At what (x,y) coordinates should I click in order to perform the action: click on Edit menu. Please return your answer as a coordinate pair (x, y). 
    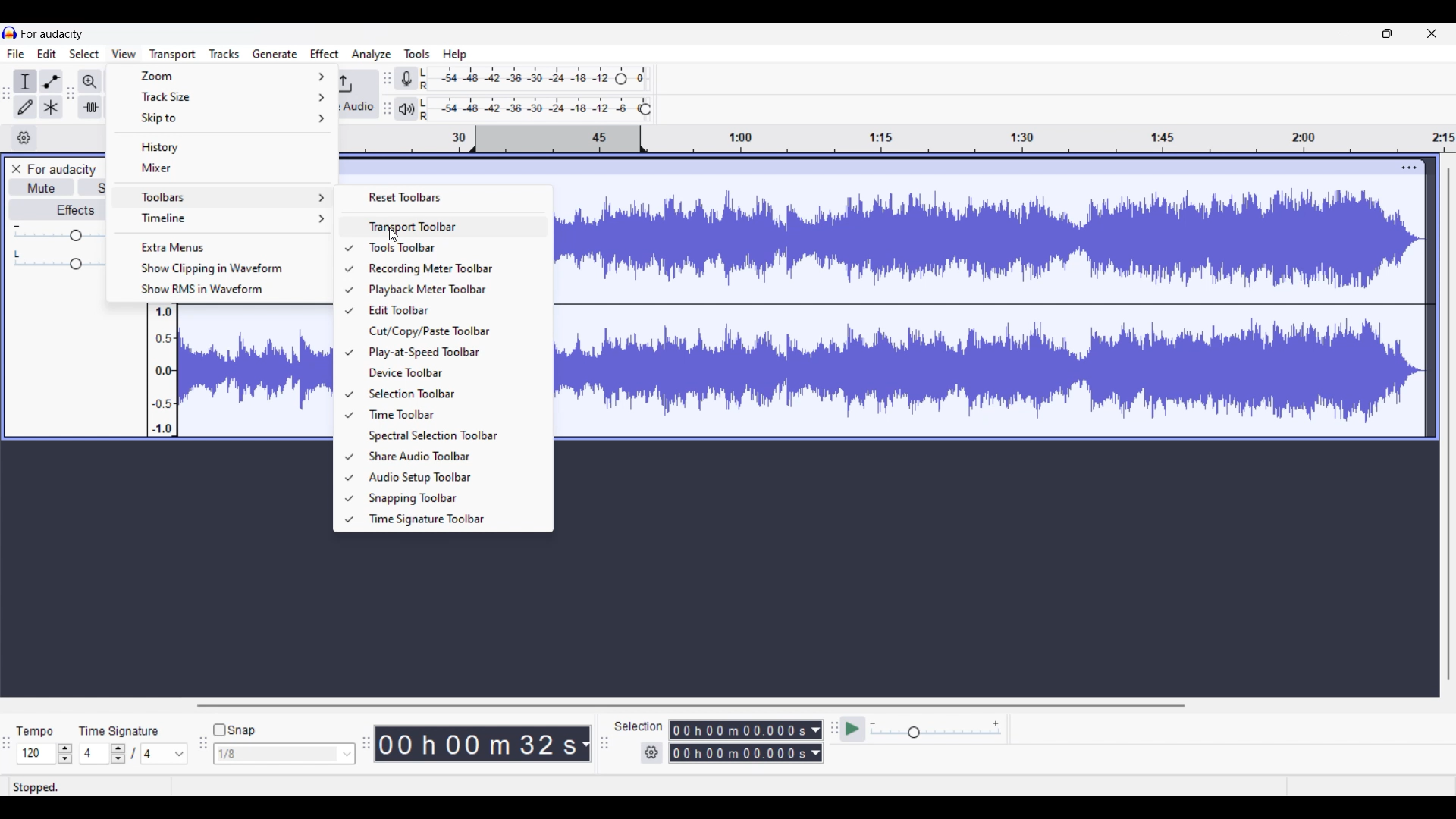
    Looking at the image, I should click on (47, 54).